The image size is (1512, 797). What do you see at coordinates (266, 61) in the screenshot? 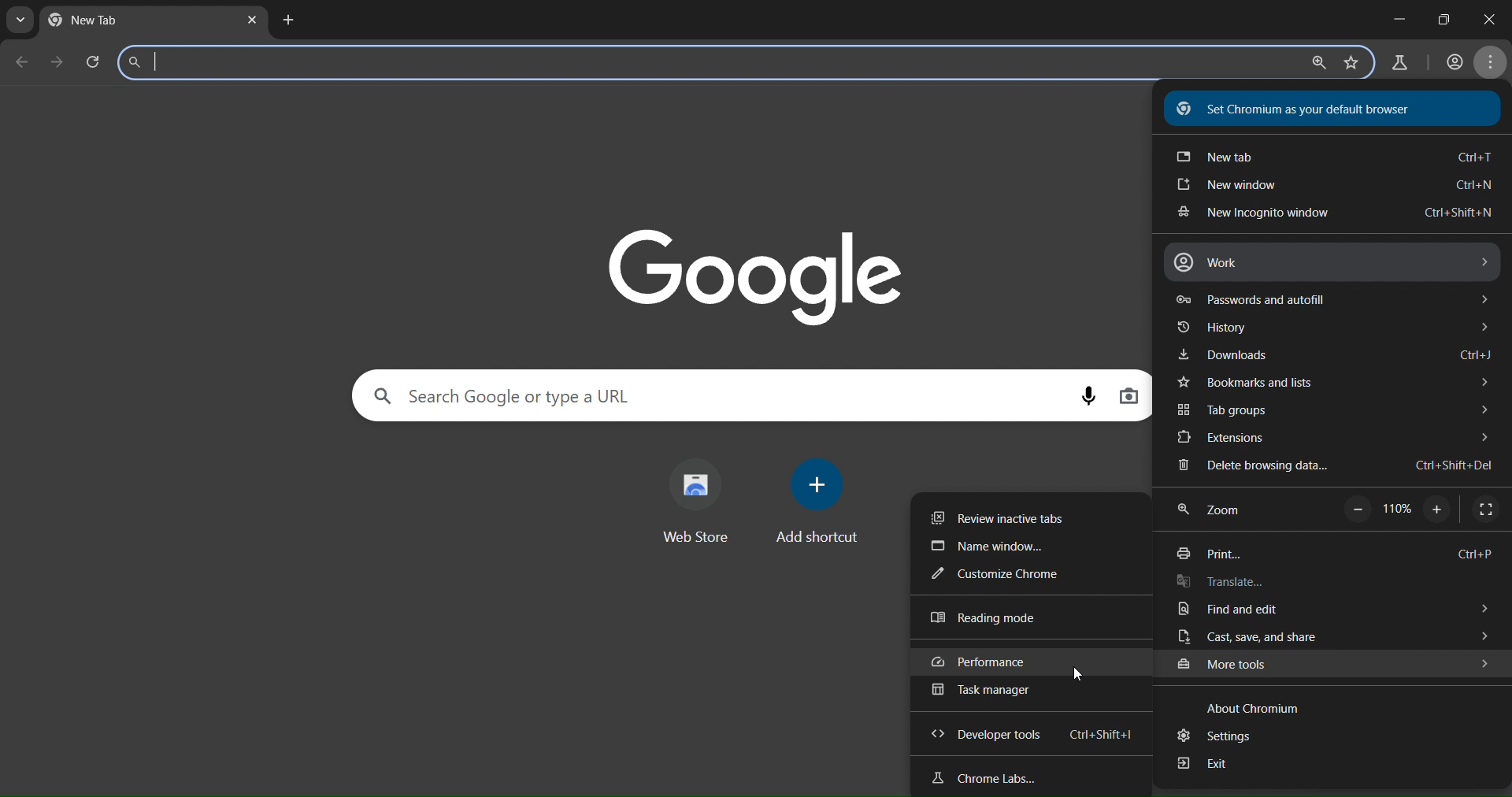
I see `search panel` at bounding box center [266, 61].